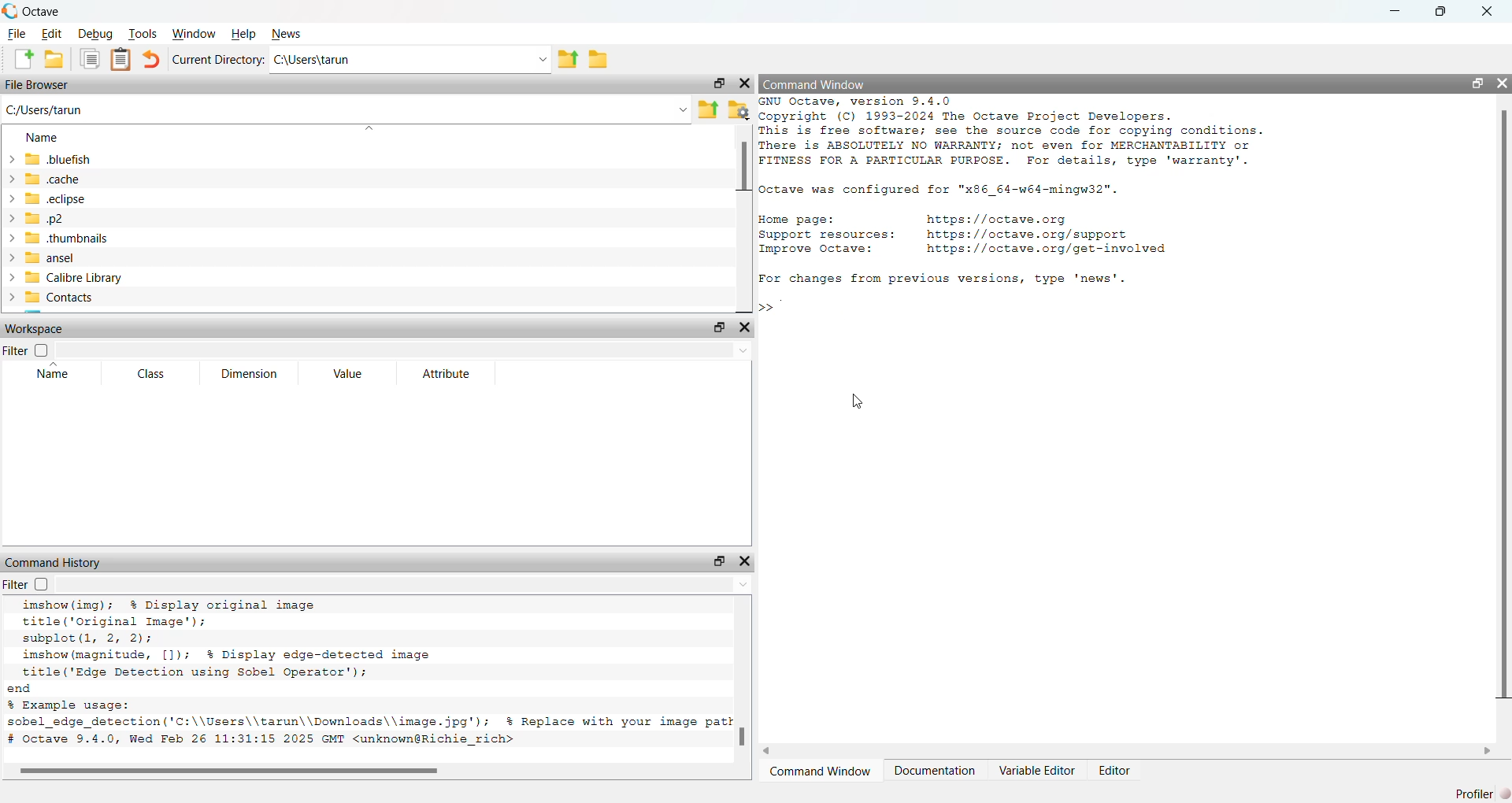 This screenshot has width=1512, height=803. I want to click on restore down, so click(1473, 86).